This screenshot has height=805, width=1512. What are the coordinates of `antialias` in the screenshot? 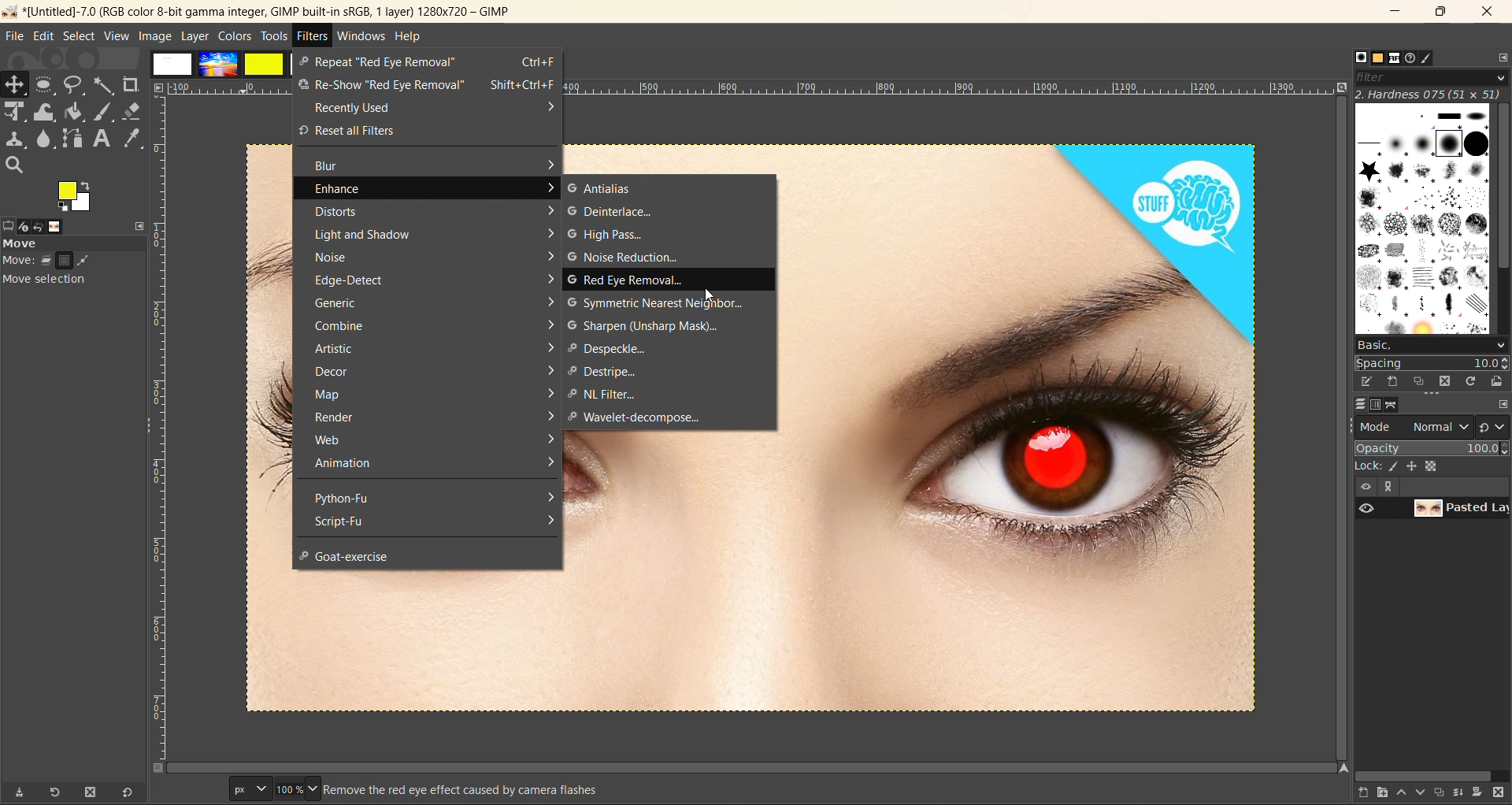 It's located at (605, 190).